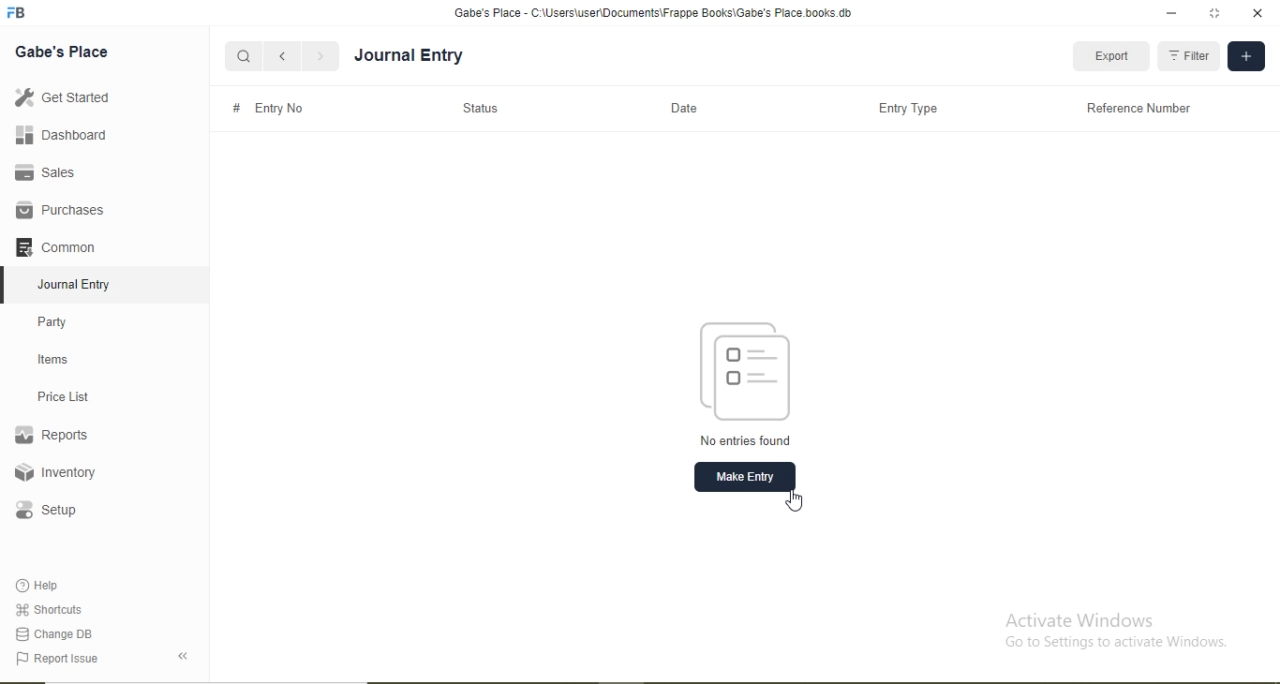 Image resolution: width=1280 pixels, height=684 pixels. What do you see at coordinates (746, 441) in the screenshot?
I see `No entries found` at bounding box center [746, 441].